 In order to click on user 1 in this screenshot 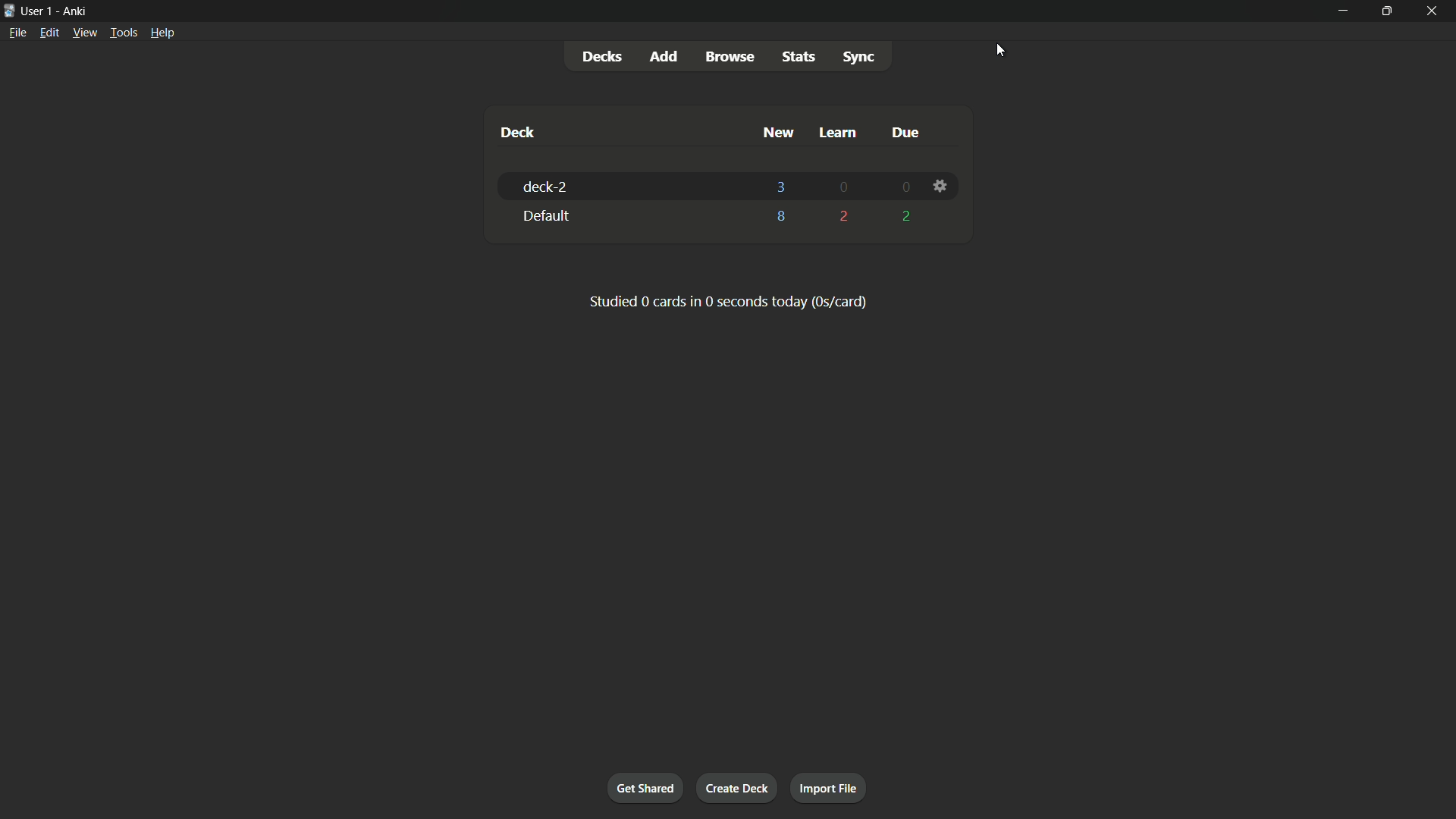, I will do `click(38, 11)`.